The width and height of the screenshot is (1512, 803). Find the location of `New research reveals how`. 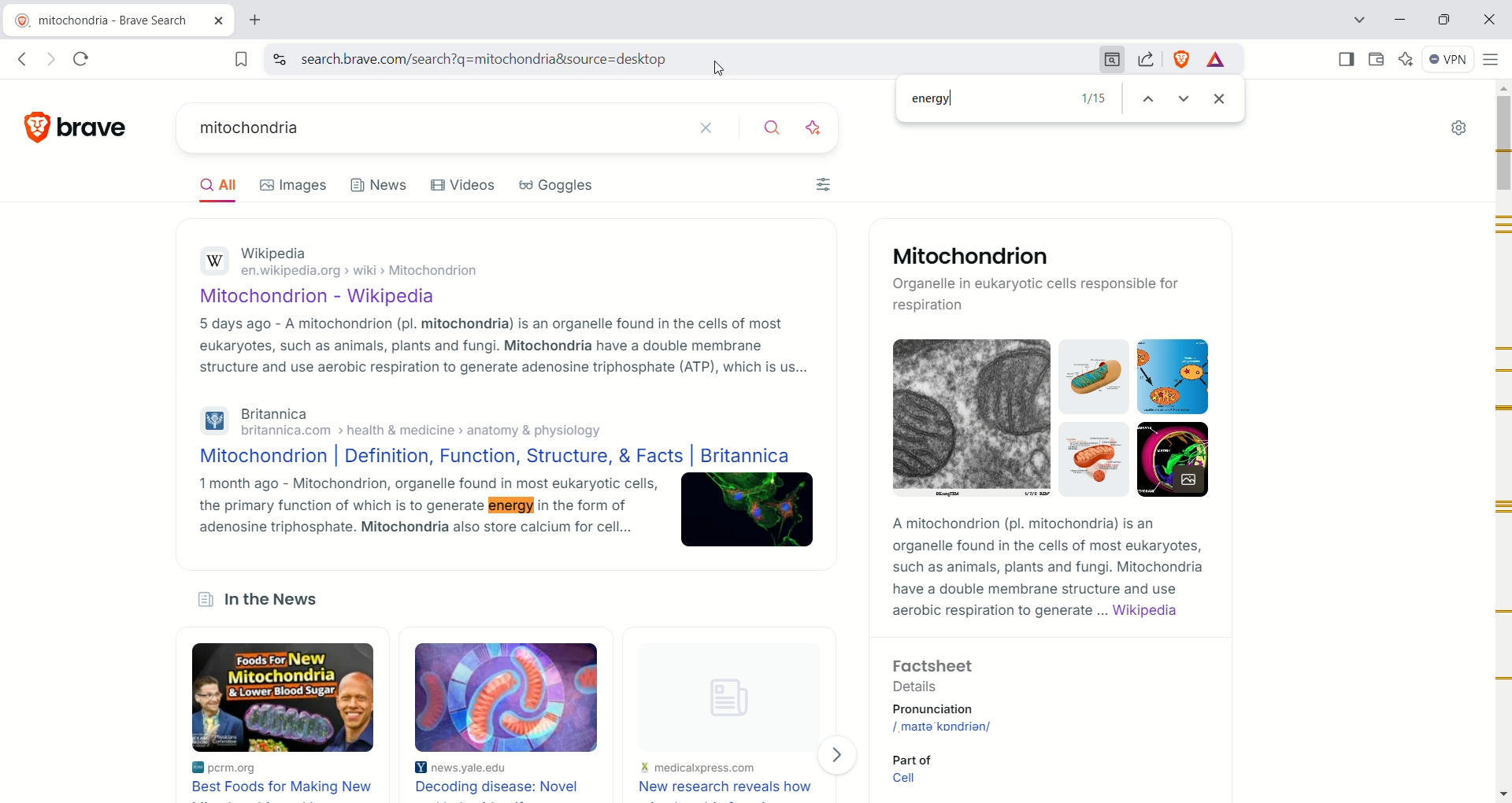

New research reveals how is located at coordinates (724, 788).